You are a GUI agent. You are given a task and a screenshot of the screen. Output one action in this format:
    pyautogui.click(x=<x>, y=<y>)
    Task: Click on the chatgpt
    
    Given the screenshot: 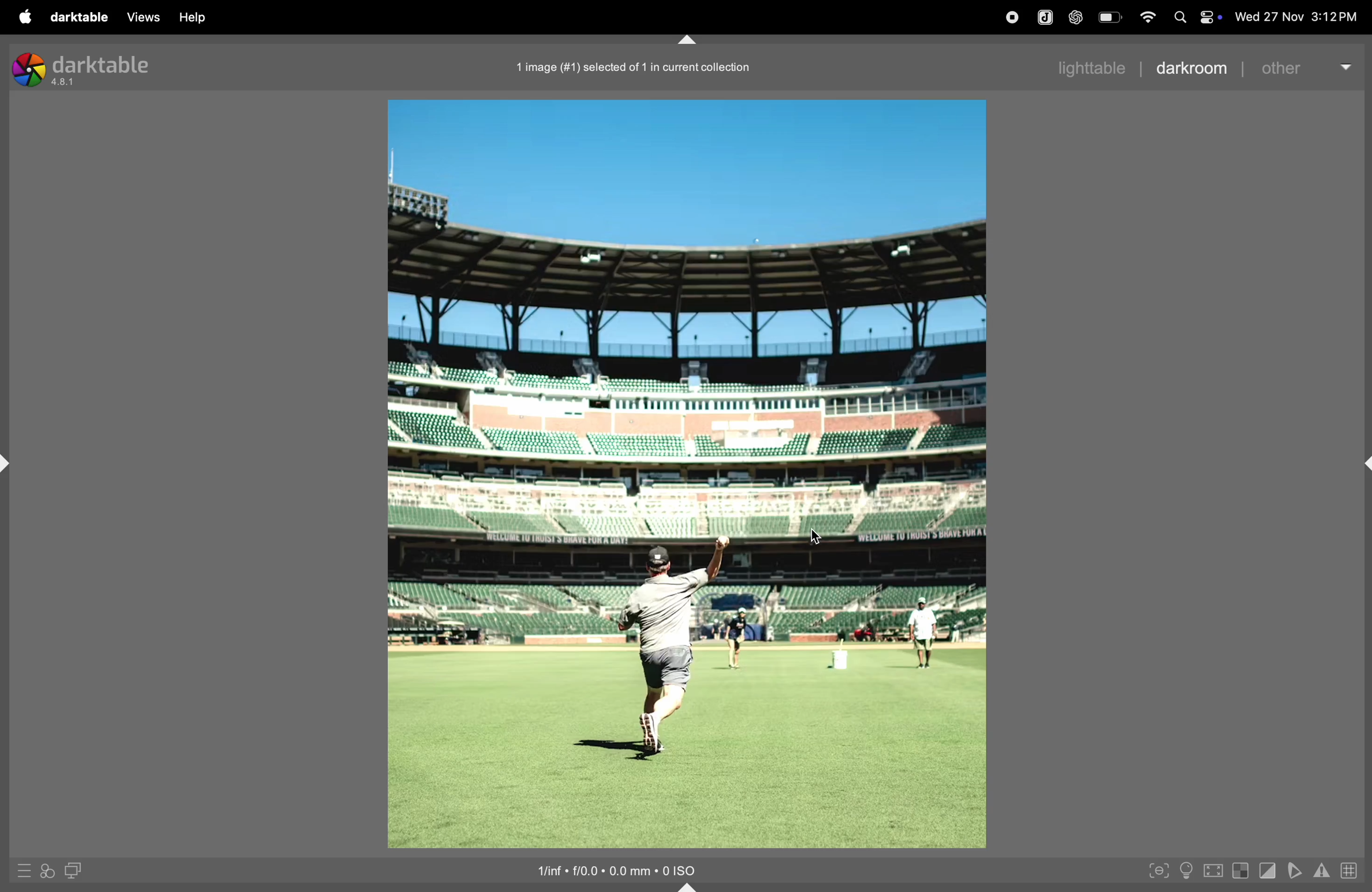 What is the action you would take?
    pyautogui.click(x=1076, y=16)
    